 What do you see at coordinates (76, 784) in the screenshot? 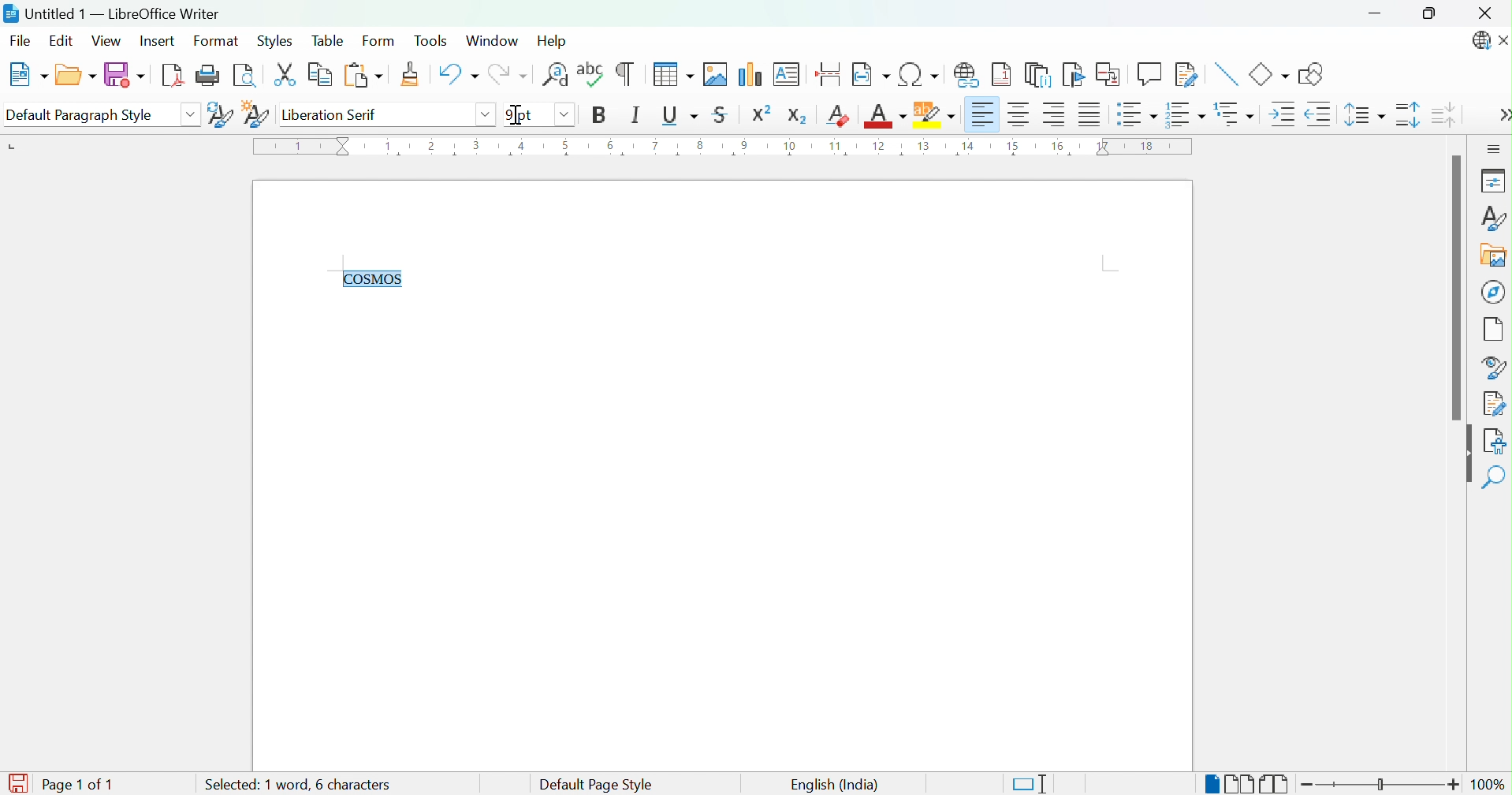
I see `Page 1 of 1` at bounding box center [76, 784].